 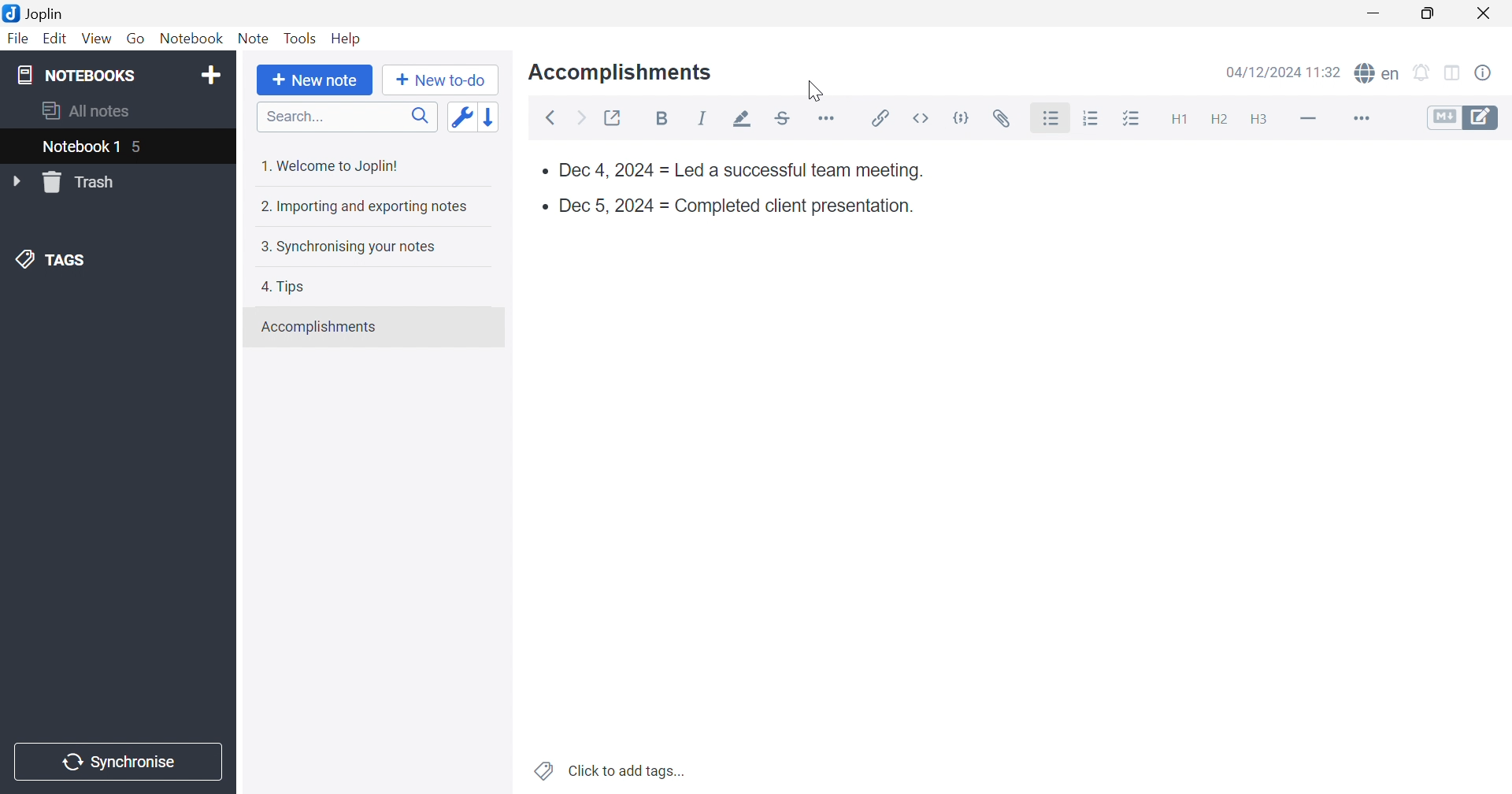 I want to click on Cursor, so click(x=813, y=93).